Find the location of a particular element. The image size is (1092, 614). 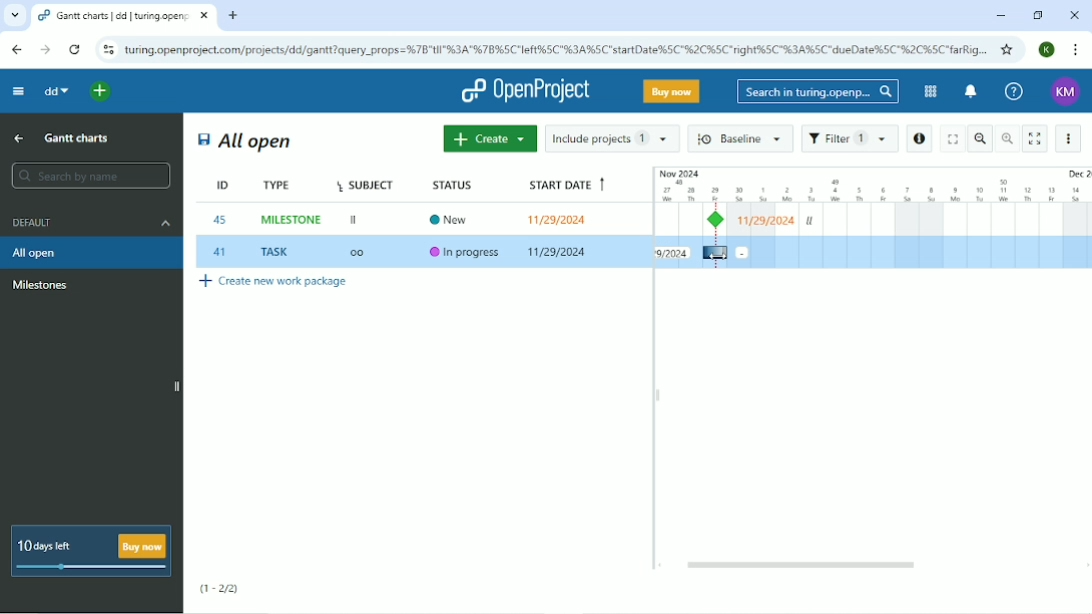

Status is located at coordinates (455, 183).